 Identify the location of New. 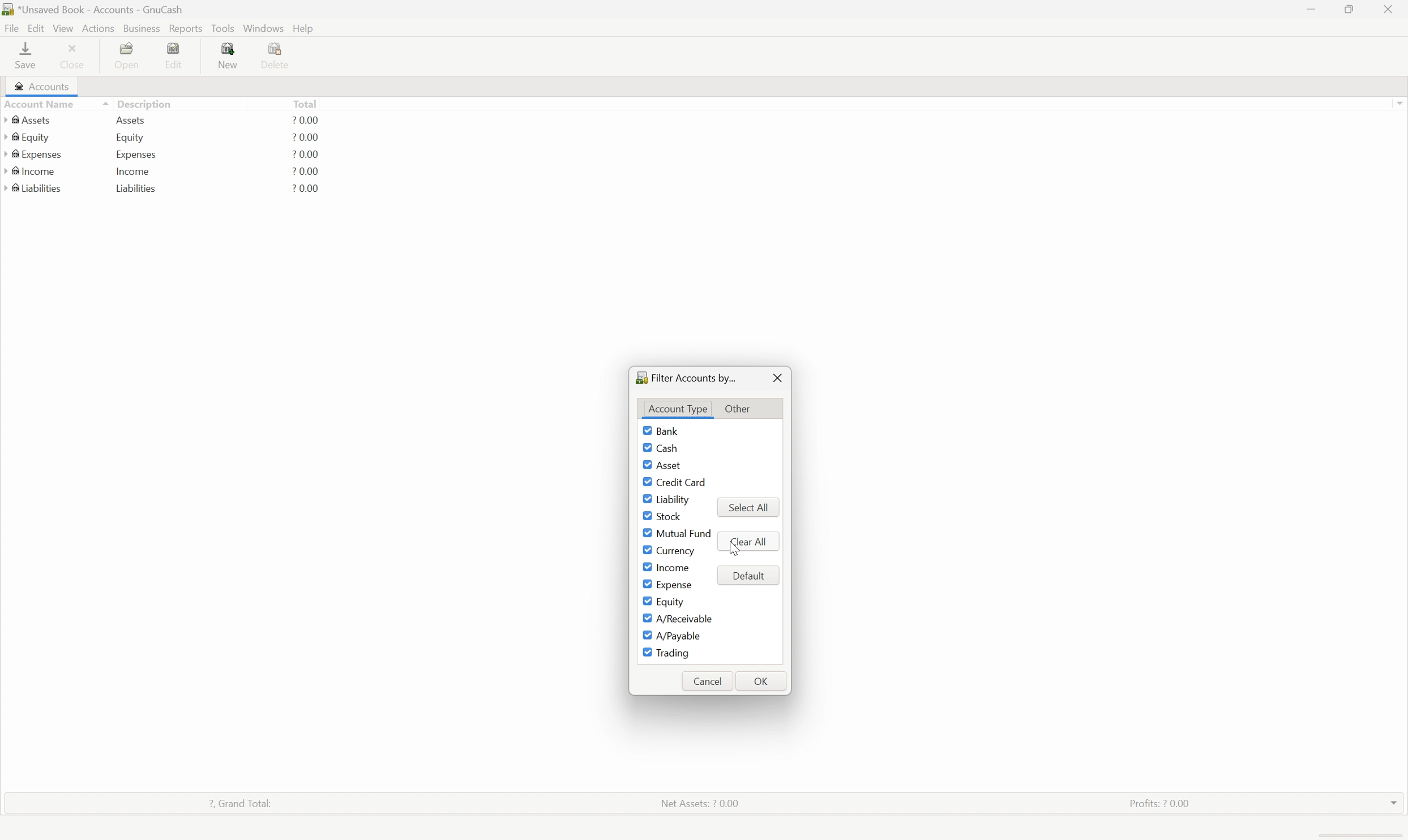
(230, 54).